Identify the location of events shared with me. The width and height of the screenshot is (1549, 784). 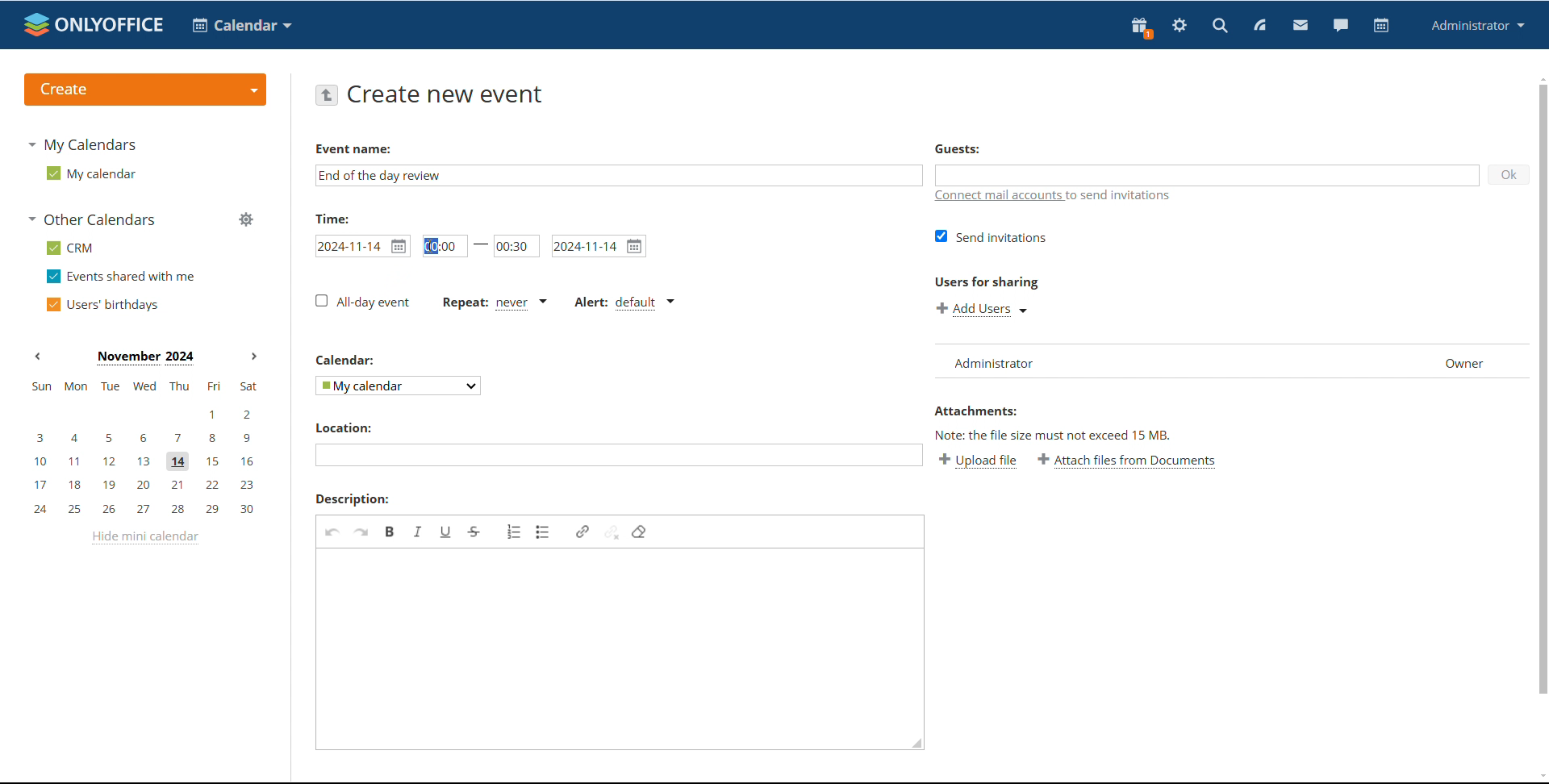
(123, 276).